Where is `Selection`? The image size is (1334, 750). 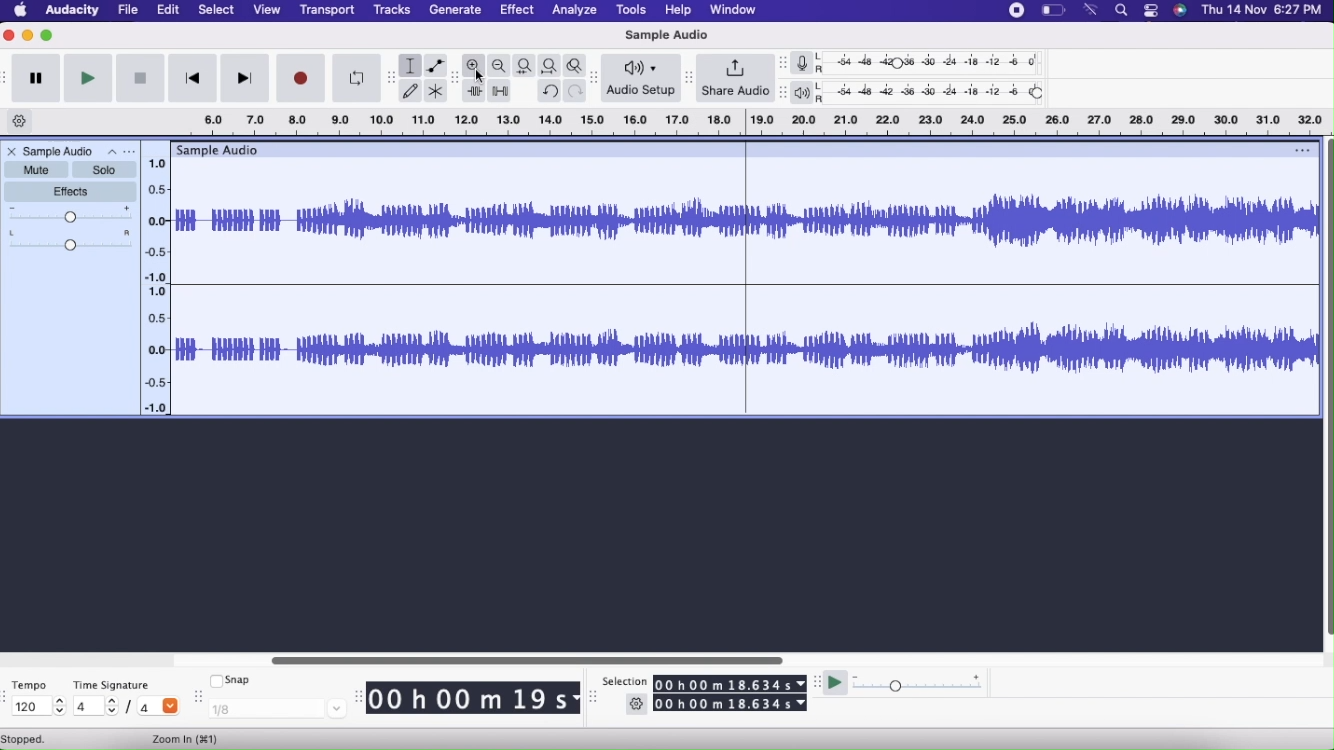
Selection is located at coordinates (626, 679).